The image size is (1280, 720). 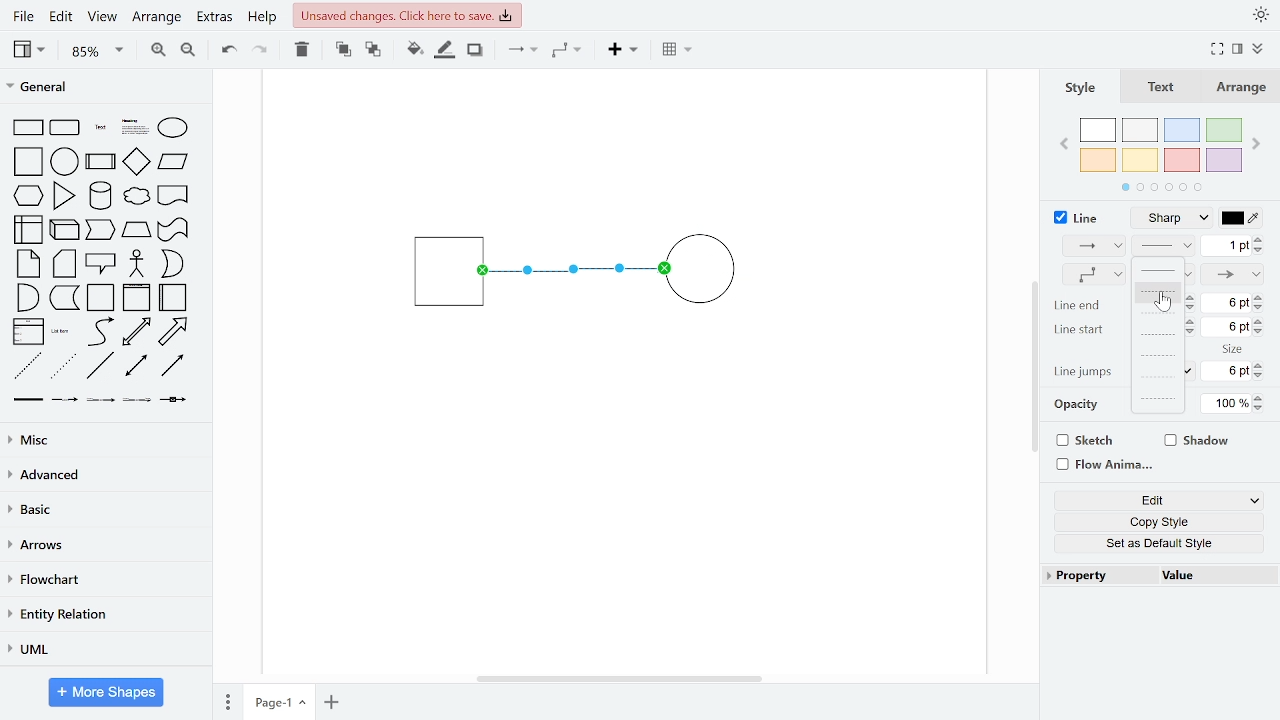 What do you see at coordinates (1236, 325) in the screenshot?
I see `change line start size` at bounding box center [1236, 325].